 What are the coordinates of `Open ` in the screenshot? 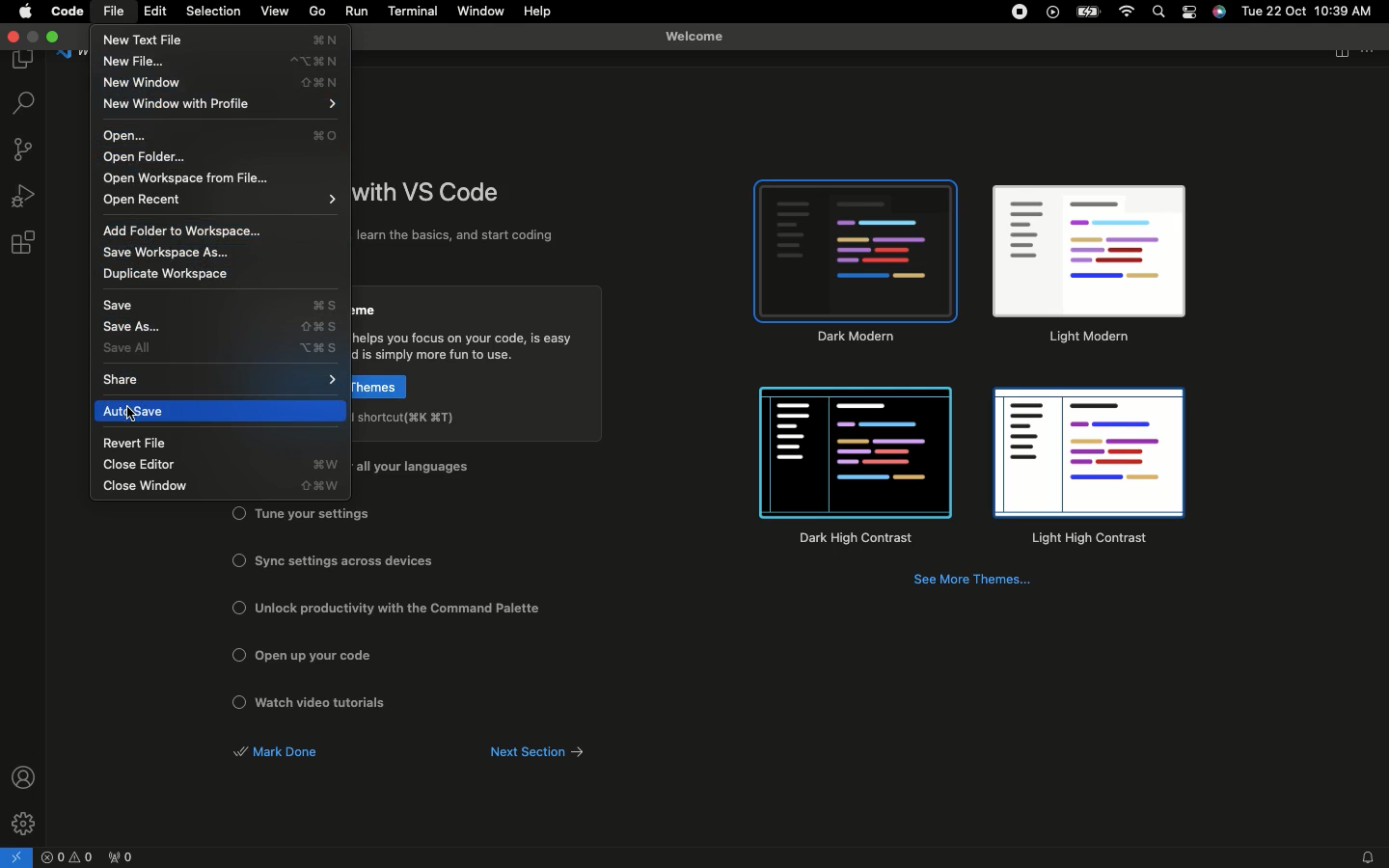 It's located at (228, 135).